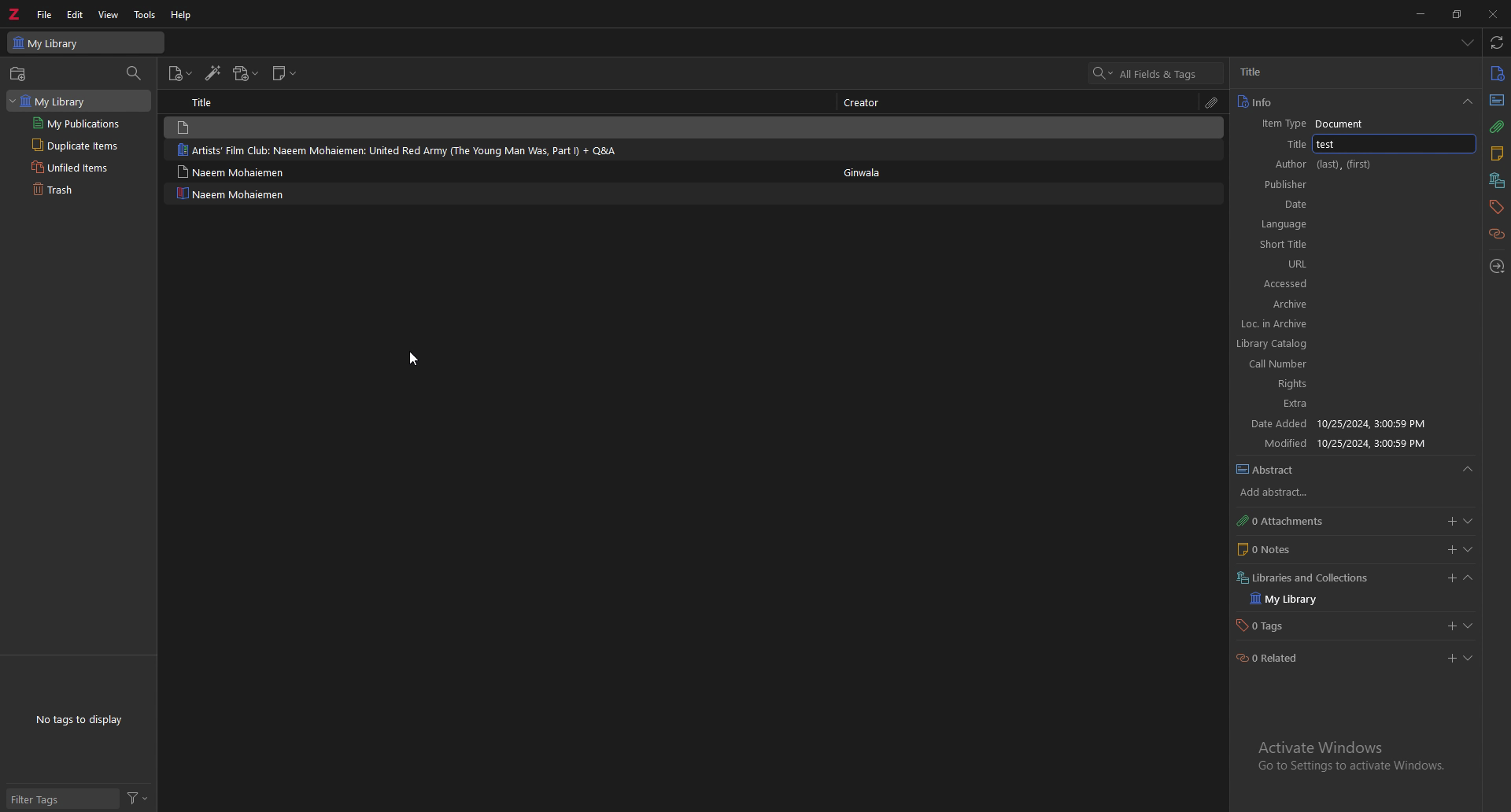 The width and height of the screenshot is (1511, 812). What do you see at coordinates (1475, 522) in the screenshot?
I see `expand section` at bounding box center [1475, 522].